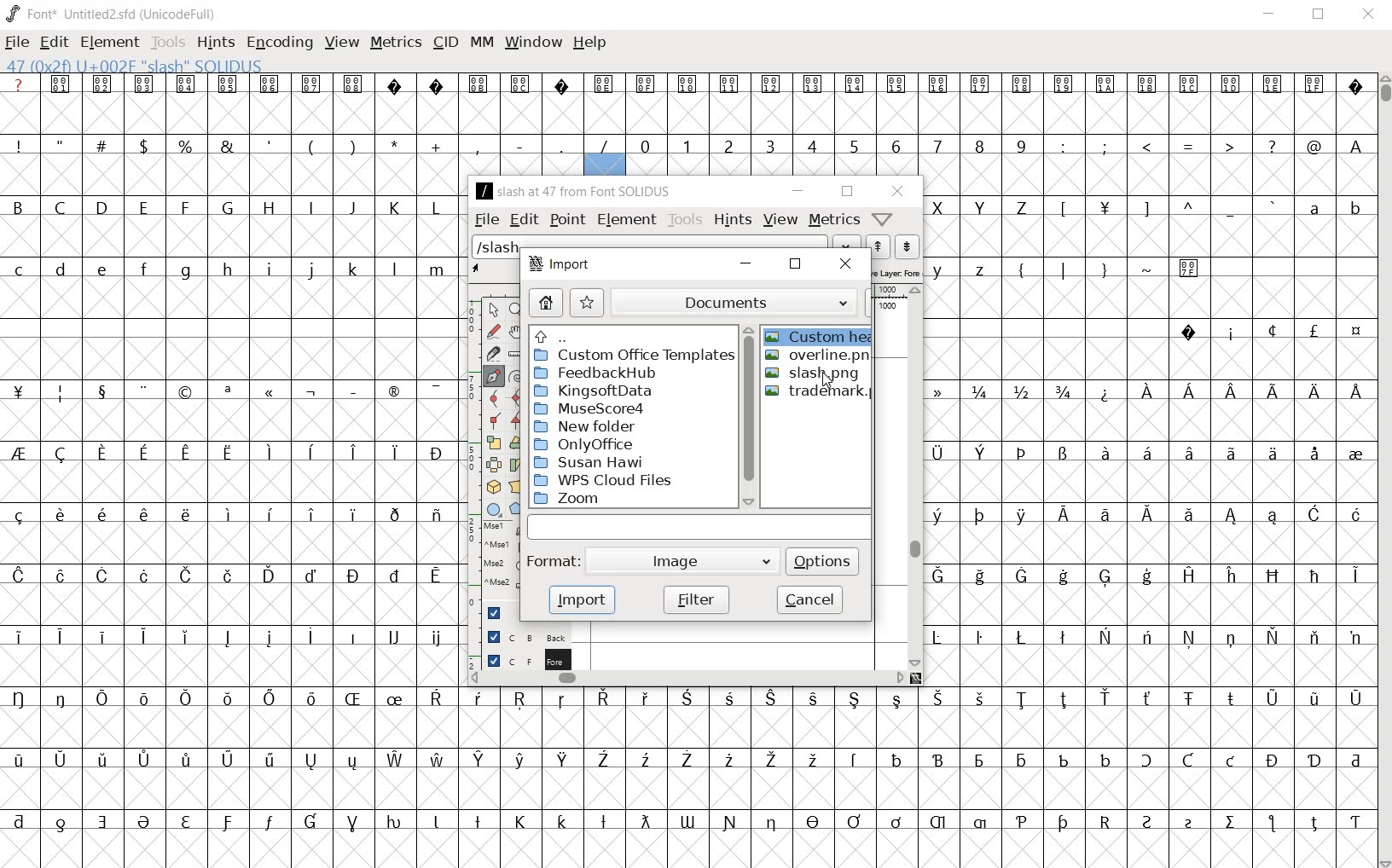 The width and height of the screenshot is (1392, 868). What do you see at coordinates (233, 667) in the screenshot?
I see `empty cells` at bounding box center [233, 667].